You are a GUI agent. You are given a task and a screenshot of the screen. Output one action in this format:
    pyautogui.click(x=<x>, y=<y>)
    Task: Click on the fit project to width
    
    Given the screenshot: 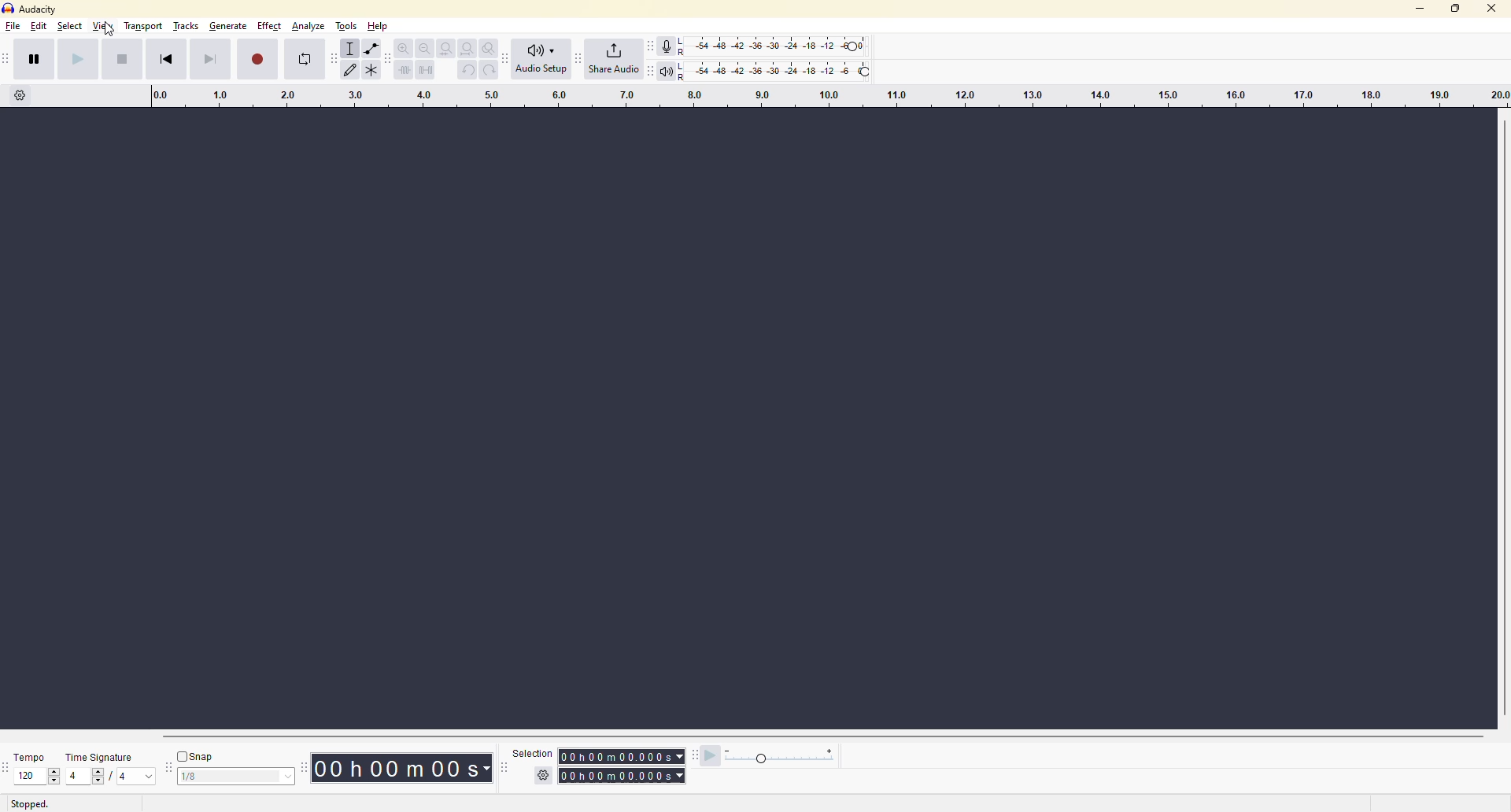 What is the action you would take?
    pyautogui.click(x=469, y=47)
    